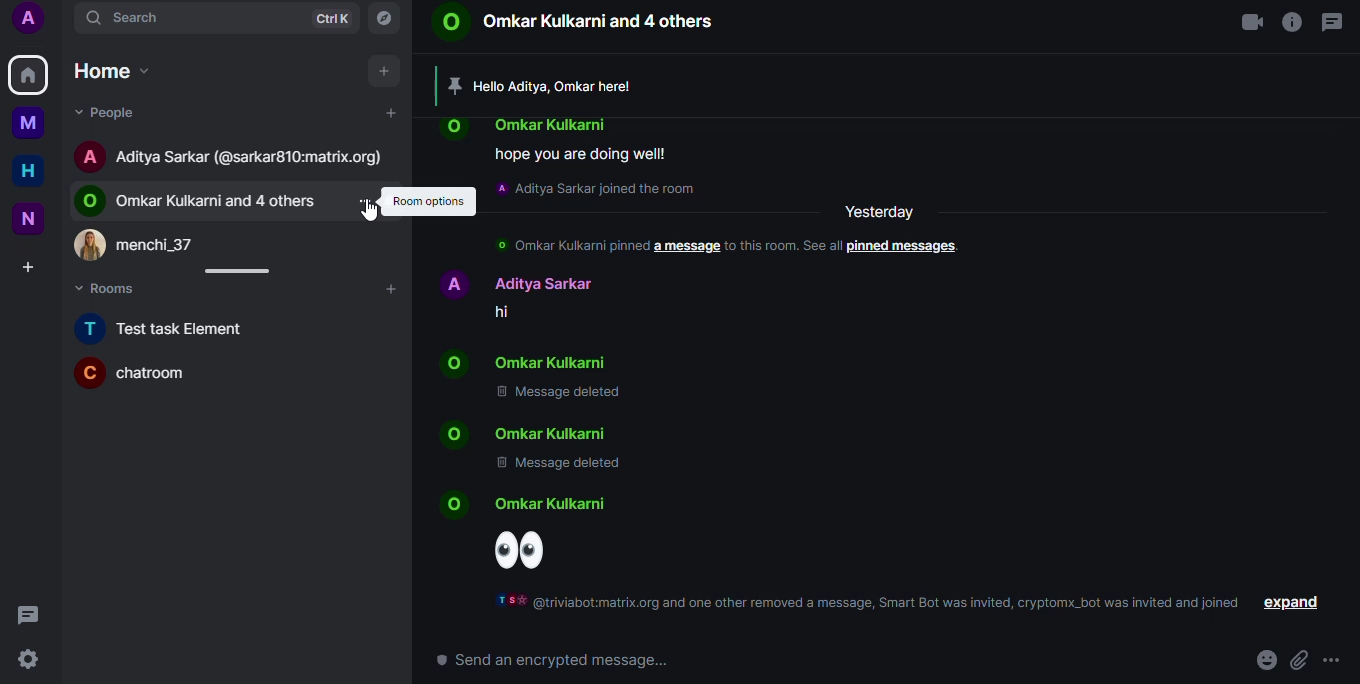  Describe the element at coordinates (576, 24) in the screenshot. I see `contact` at that location.